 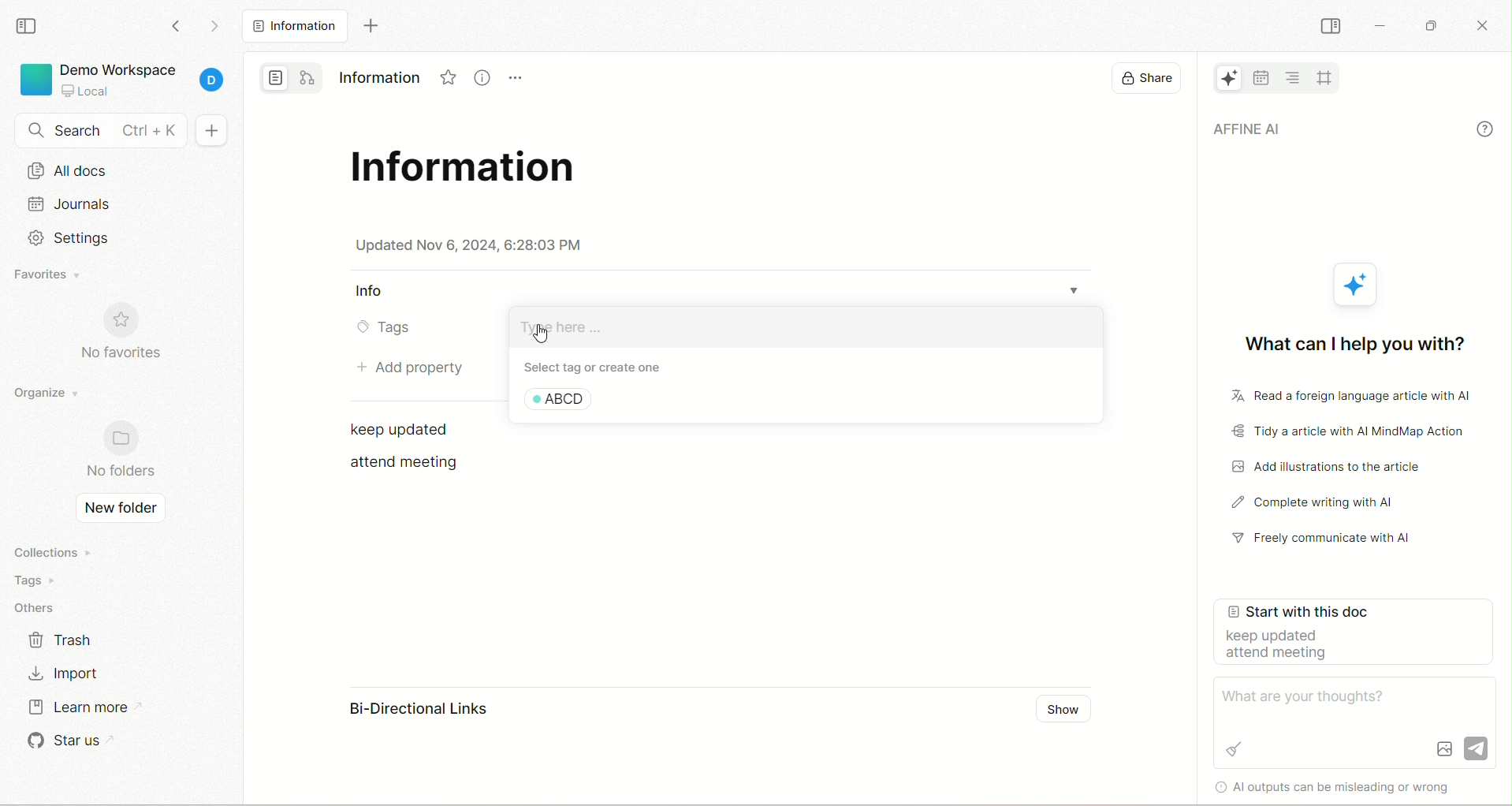 What do you see at coordinates (216, 80) in the screenshot?
I see `account ` at bounding box center [216, 80].